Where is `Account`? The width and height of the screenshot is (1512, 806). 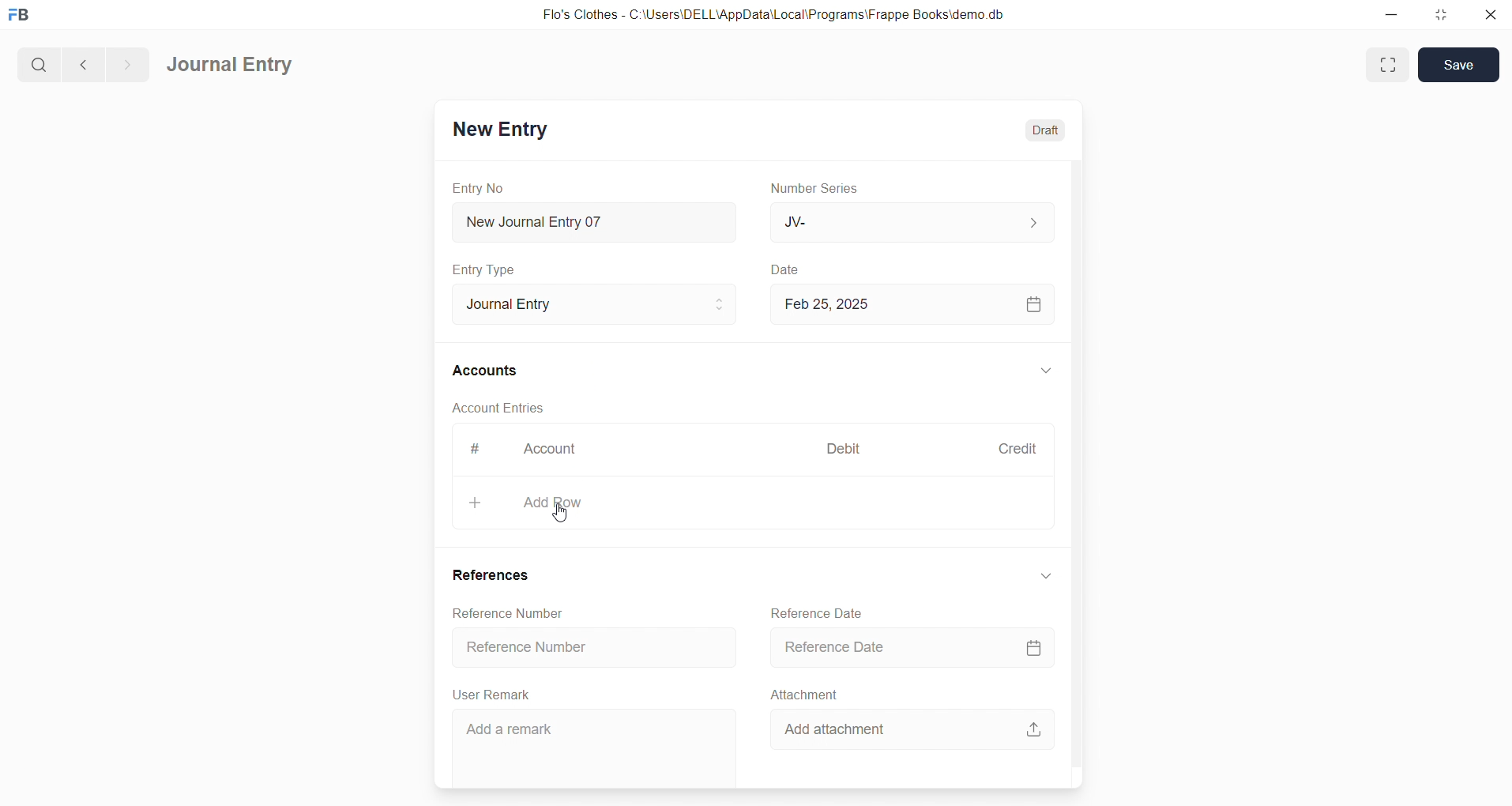 Account is located at coordinates (553, 450).